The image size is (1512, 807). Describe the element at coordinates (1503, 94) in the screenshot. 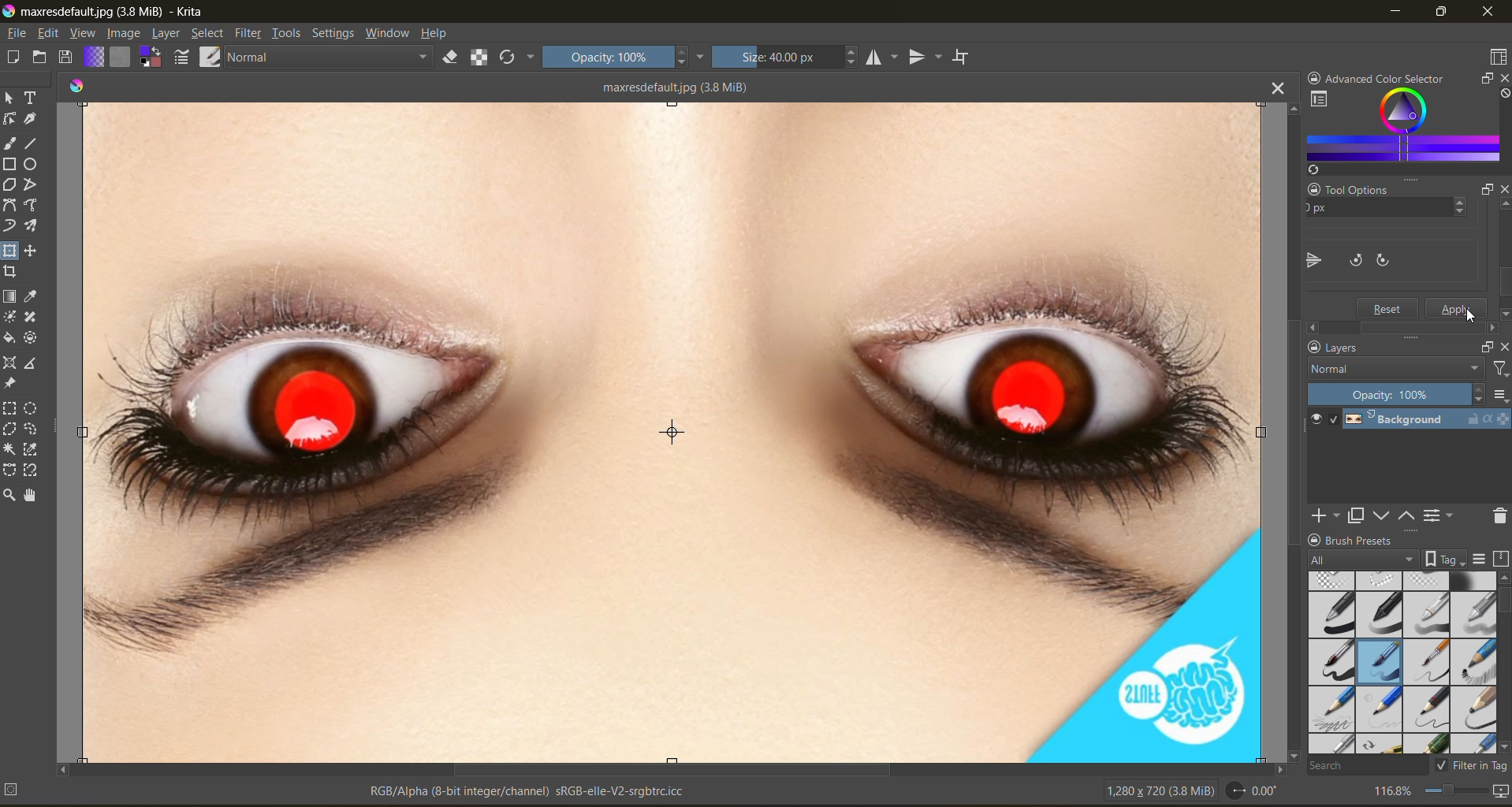

I see `clear all color search history` at that location.